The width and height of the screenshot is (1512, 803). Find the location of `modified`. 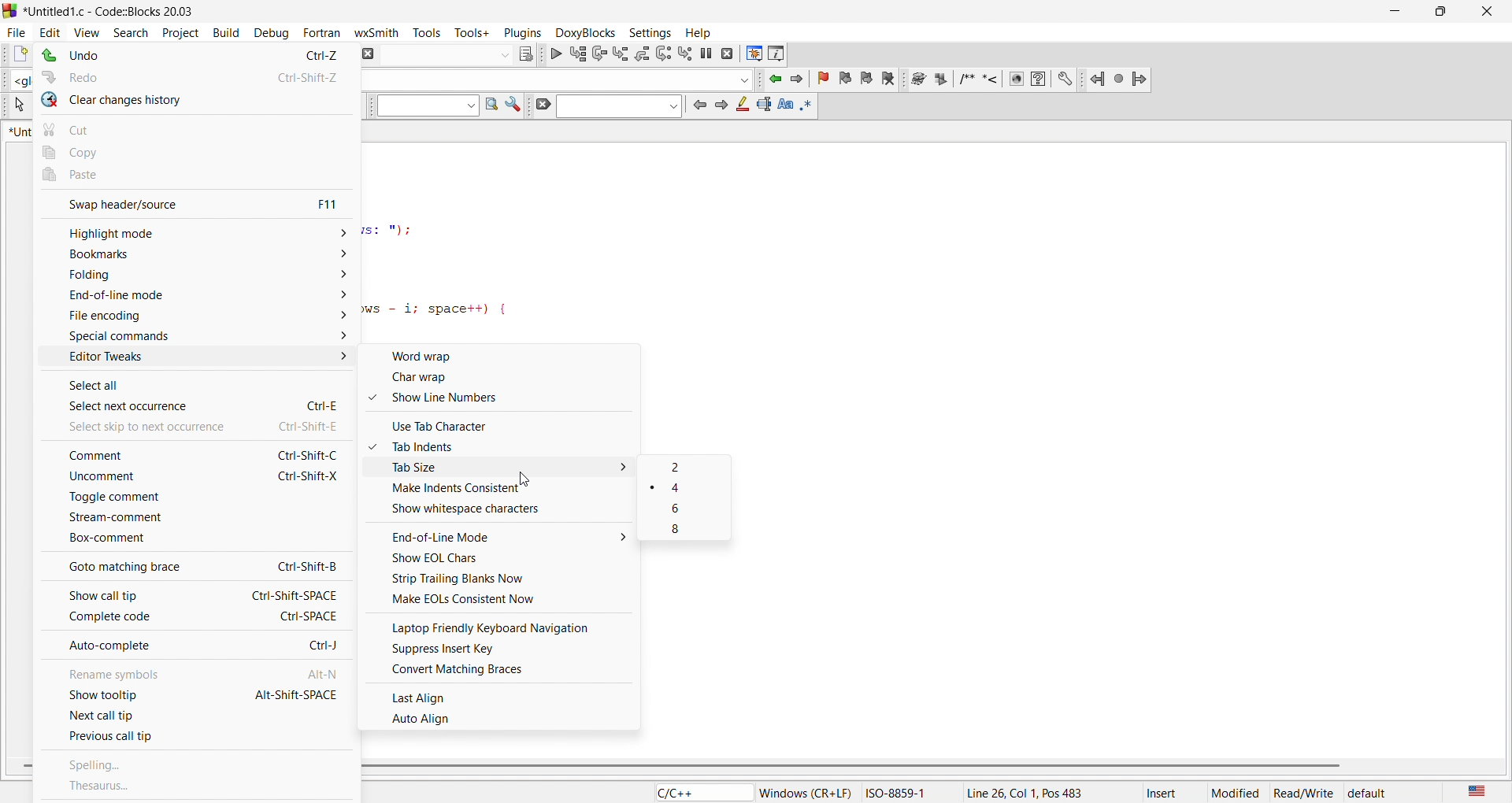

modified is located at coordinates (1236, 791).